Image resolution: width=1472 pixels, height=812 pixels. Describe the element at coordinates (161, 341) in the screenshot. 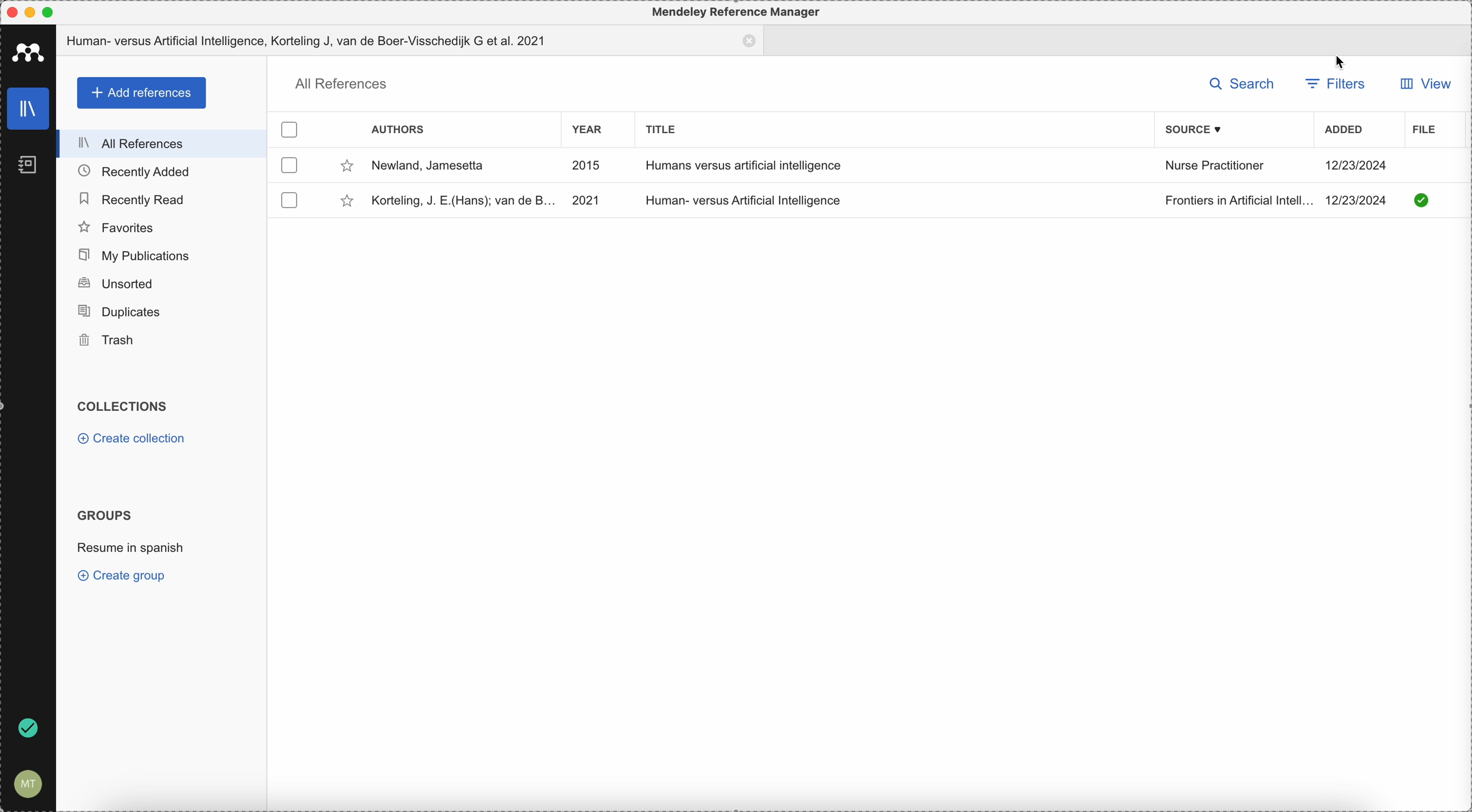

I see `trash` at that location.